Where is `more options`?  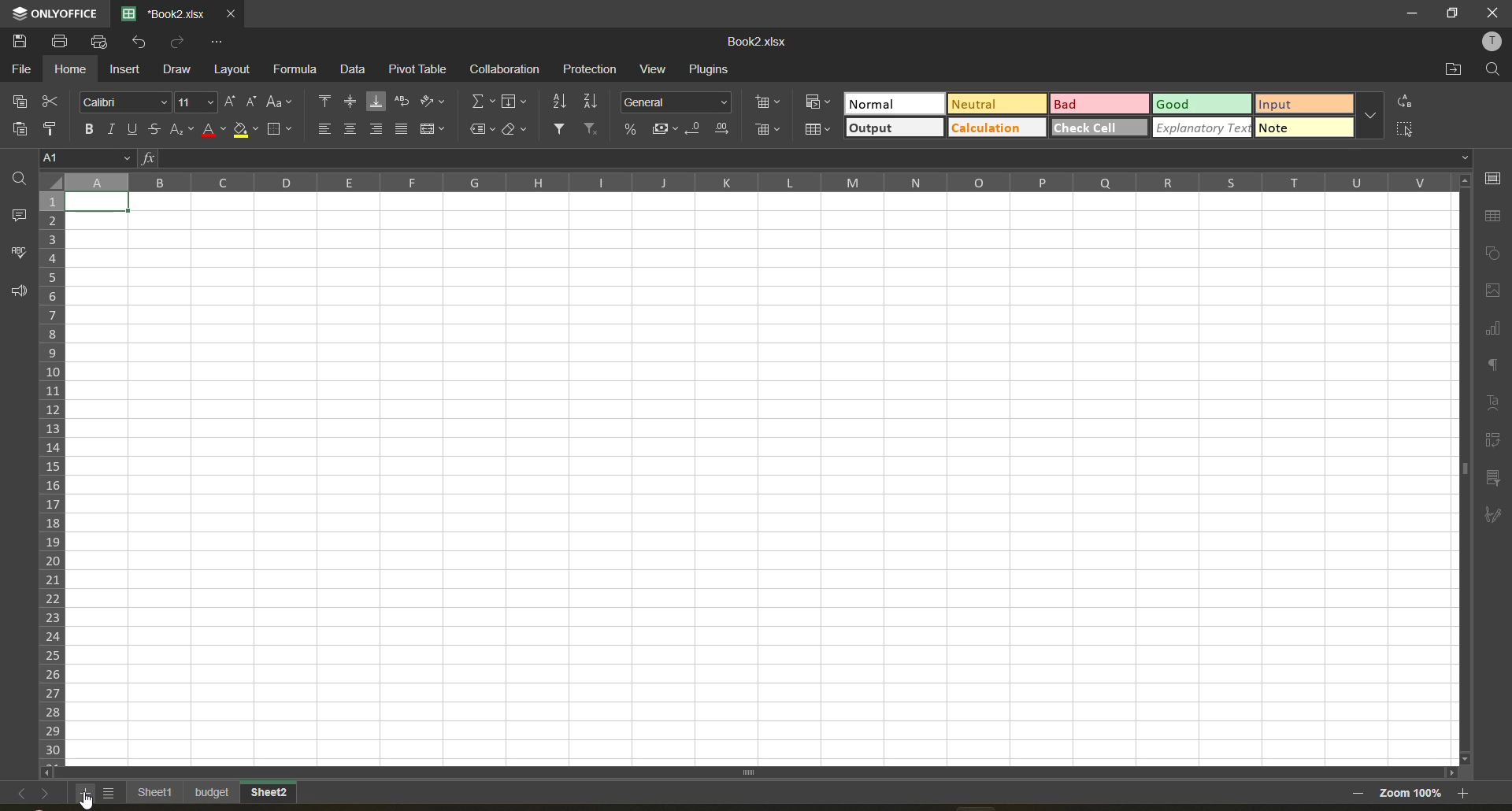 more options is located at coordinates (1371, 114).